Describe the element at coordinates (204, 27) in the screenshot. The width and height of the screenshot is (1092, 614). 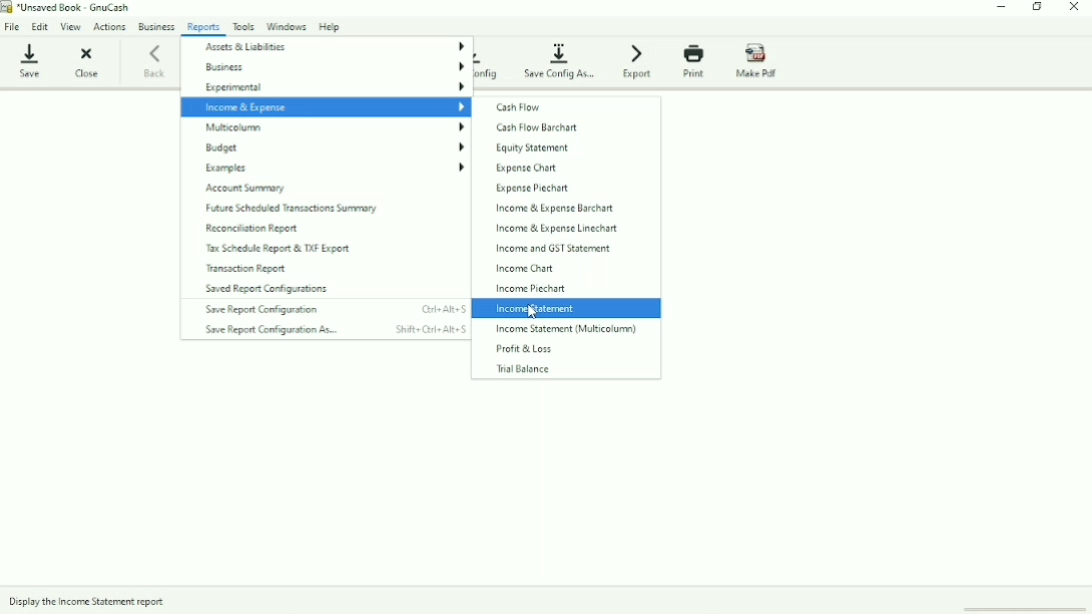
I see `Reports` at that location.